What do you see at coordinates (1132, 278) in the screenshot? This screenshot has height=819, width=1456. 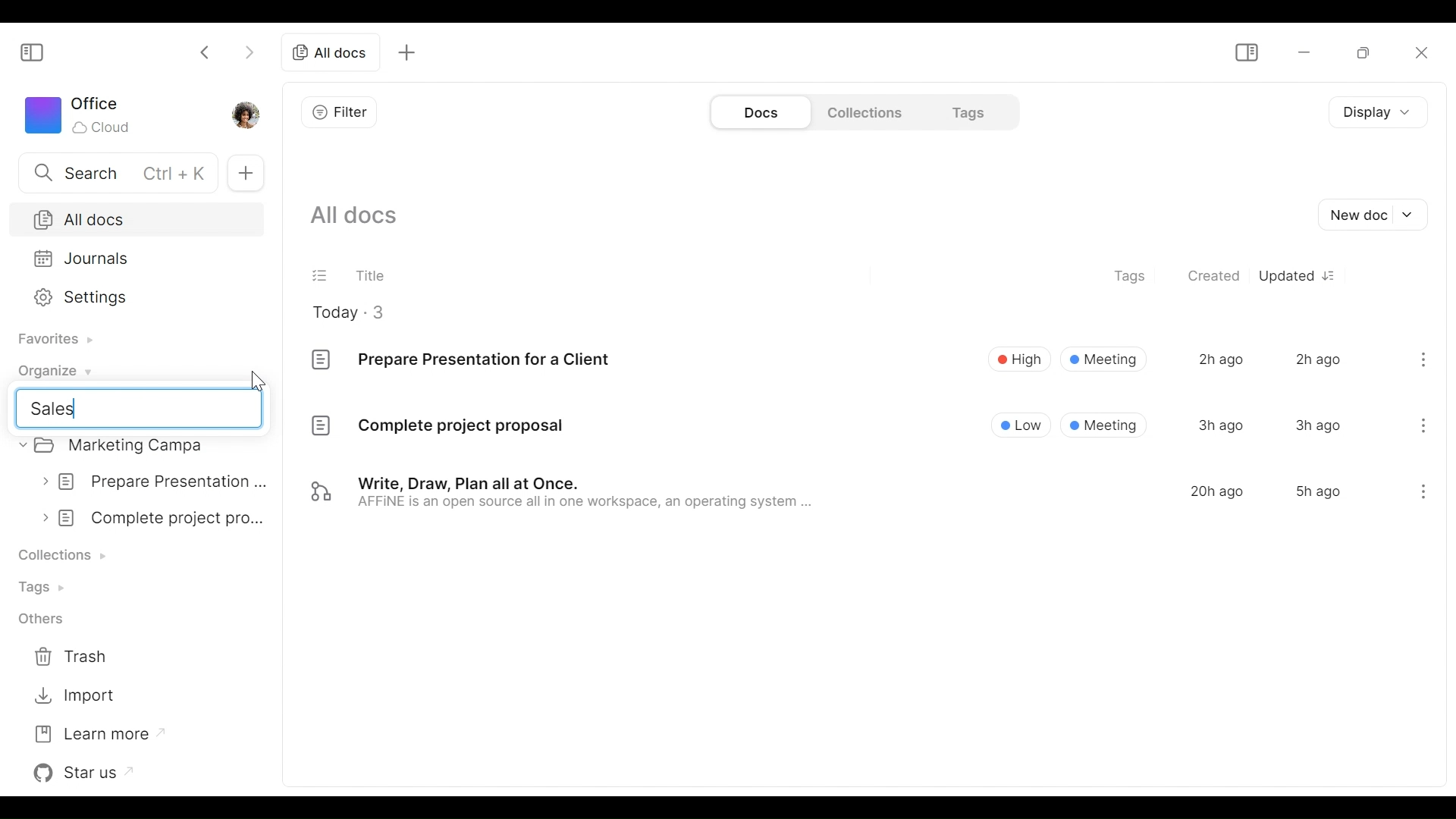 I see `Tags` at bounding box center [1132, 278].